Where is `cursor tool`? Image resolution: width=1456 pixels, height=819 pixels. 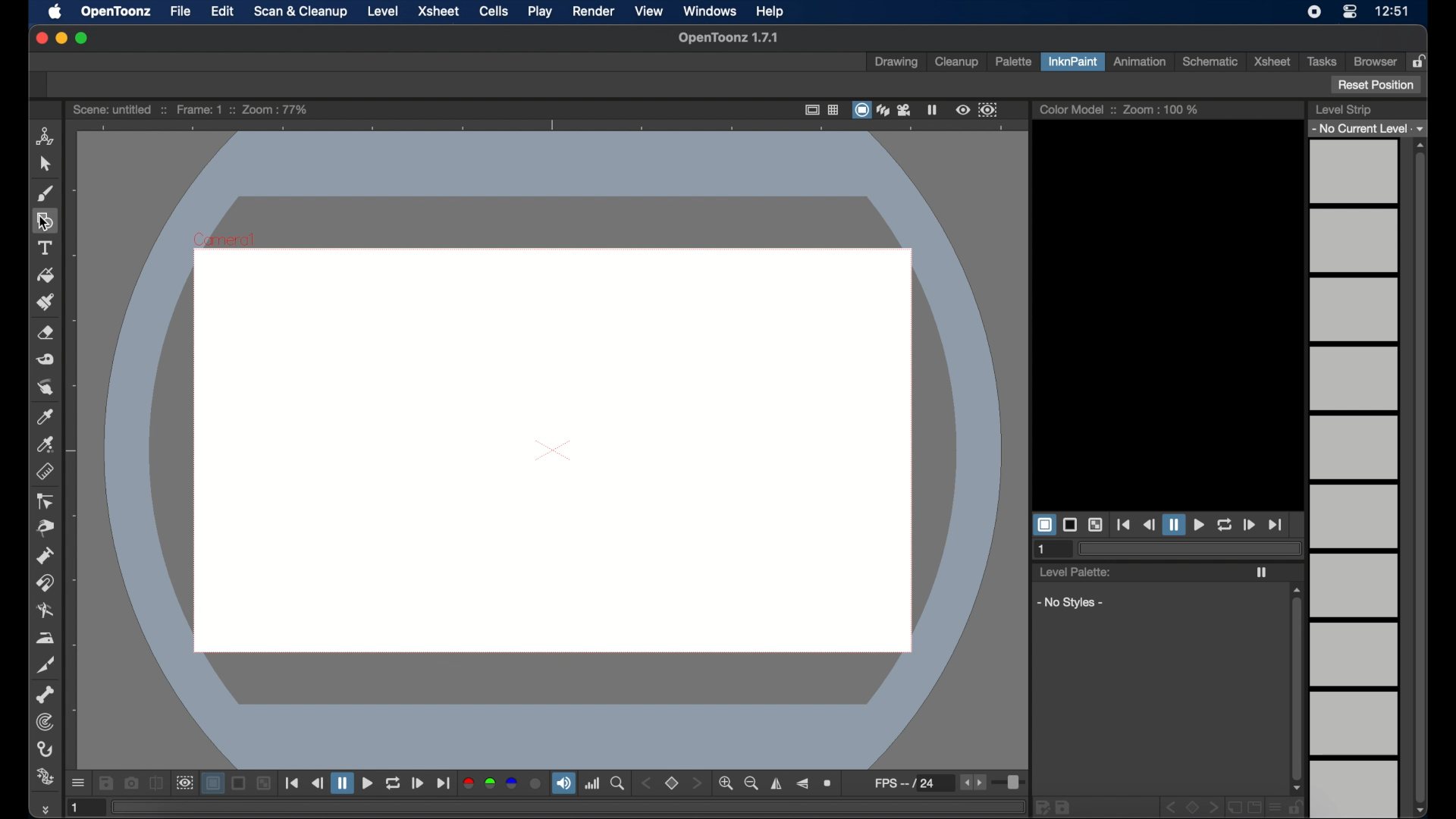
cursor tool is located at coordinates (45, 164).